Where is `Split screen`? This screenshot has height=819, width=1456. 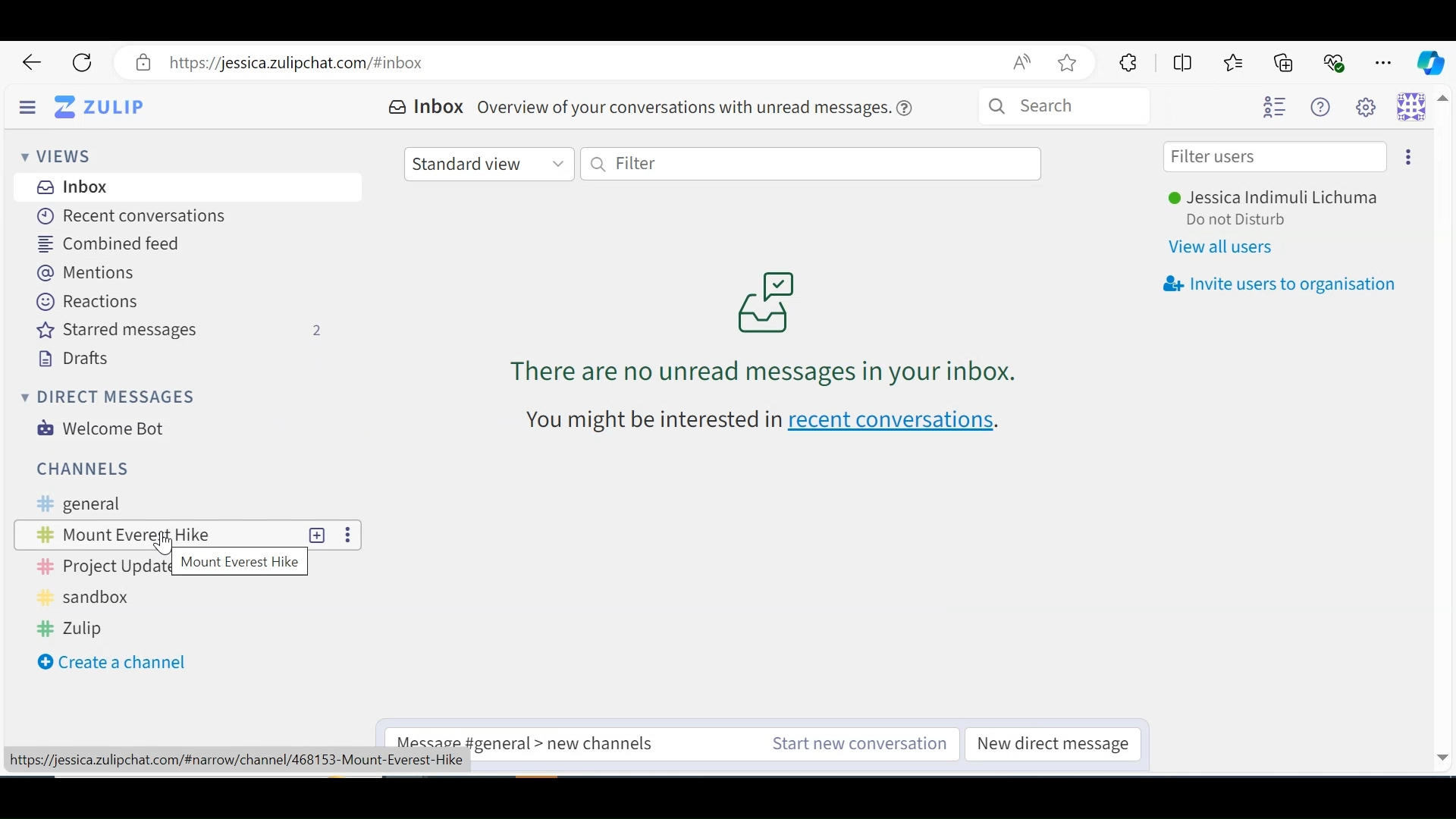
Split screen is located at coordinates (1181, 61).